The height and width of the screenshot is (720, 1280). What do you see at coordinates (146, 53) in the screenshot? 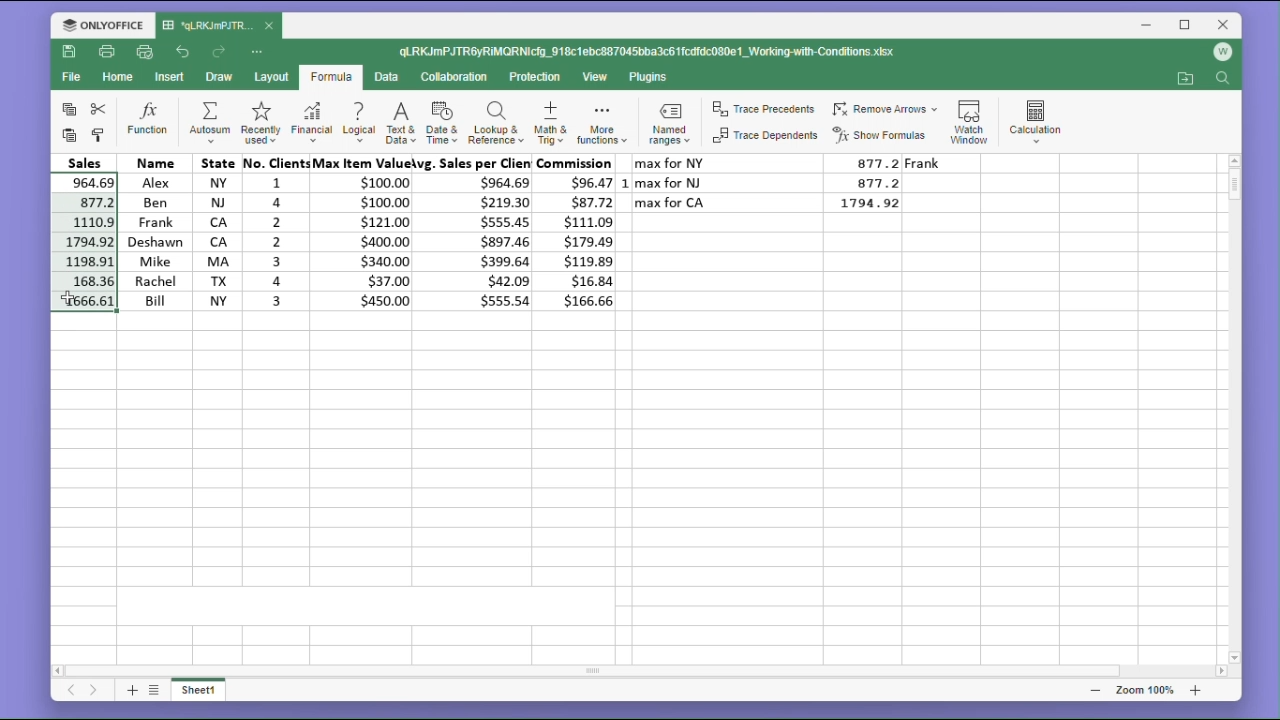
I see `quick print` at bounding box center [146, 53].